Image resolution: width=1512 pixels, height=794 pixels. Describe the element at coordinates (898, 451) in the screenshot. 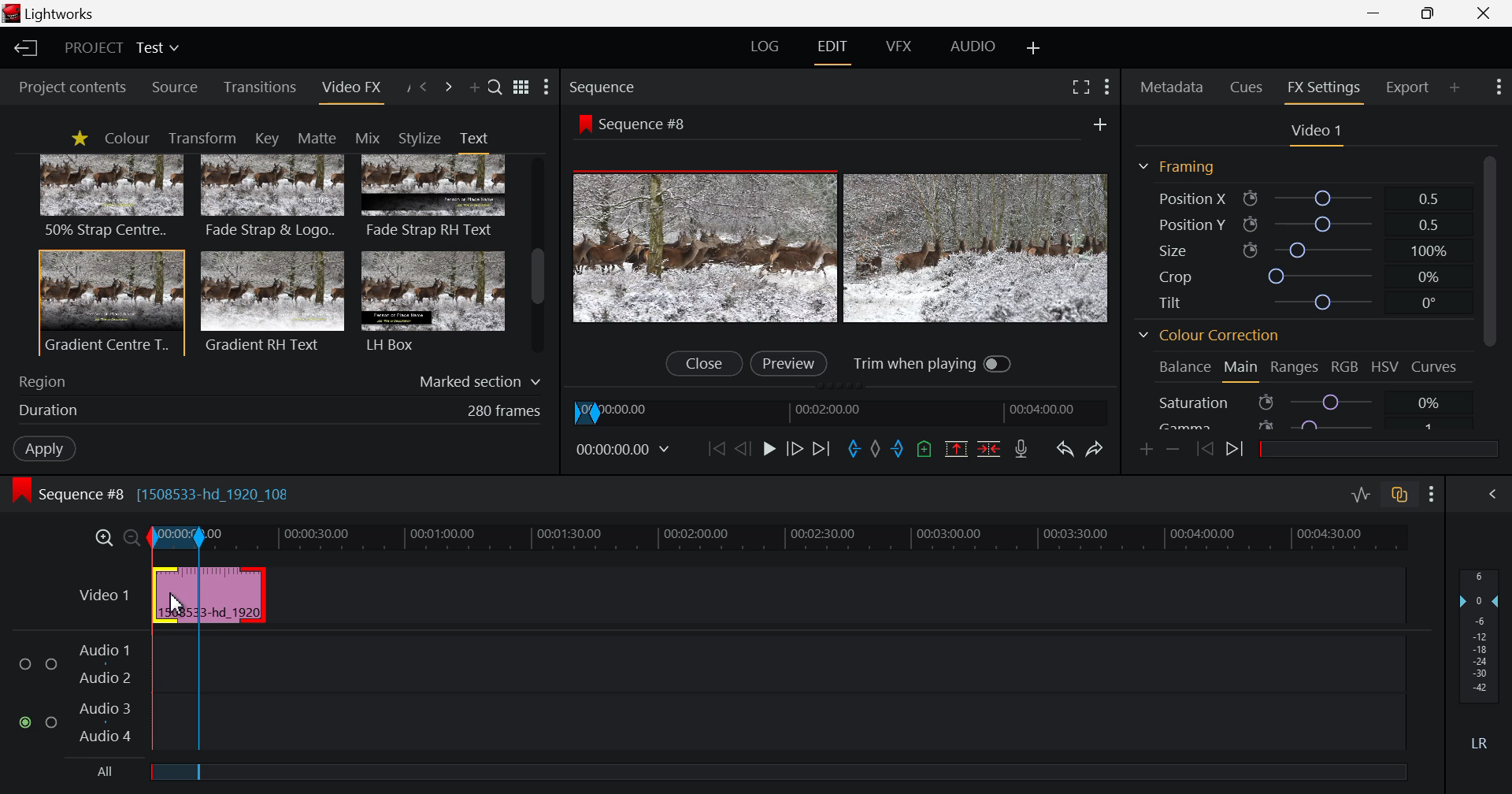

I see `Mark Out` at that location.